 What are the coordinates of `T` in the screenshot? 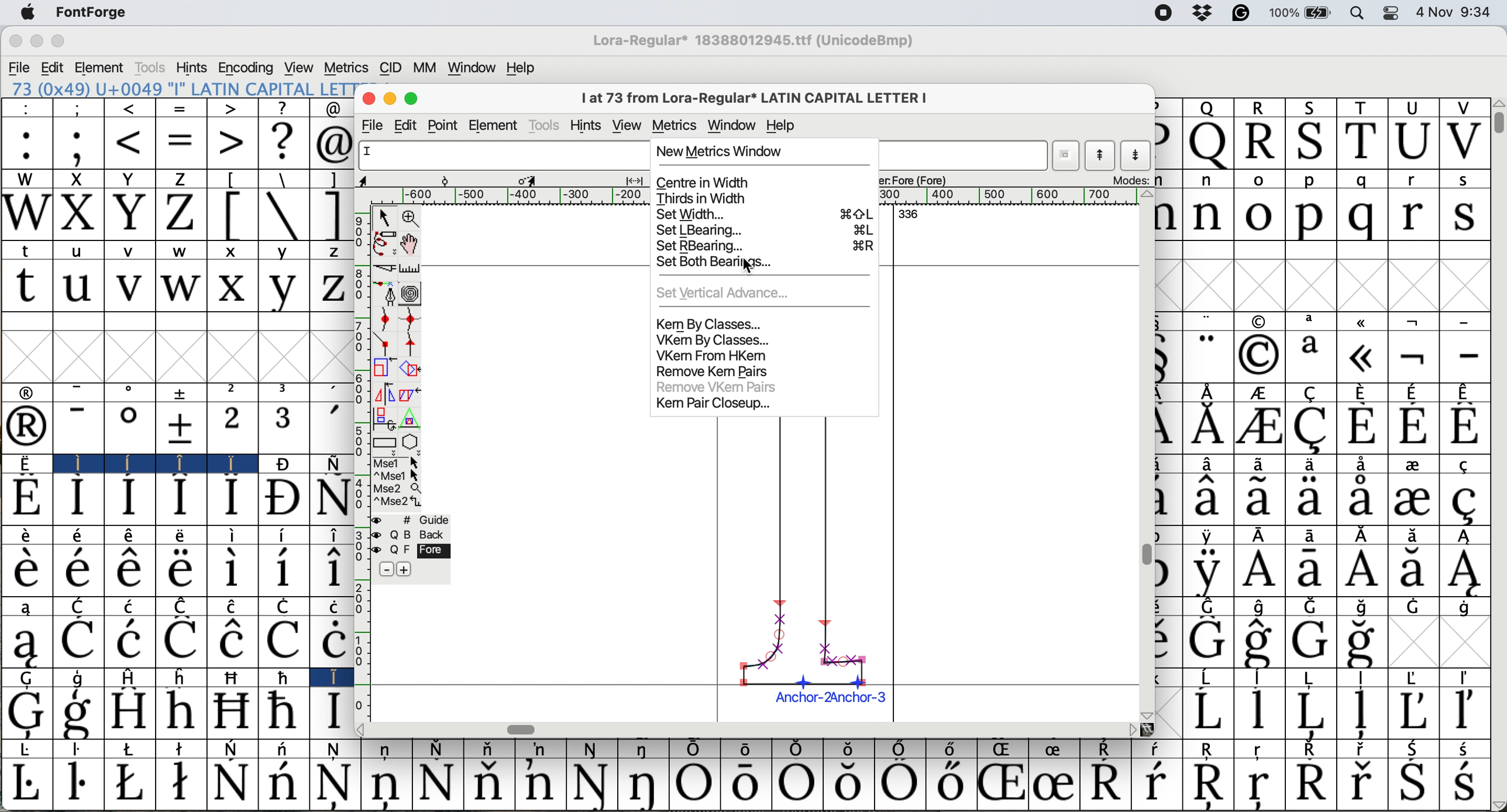 It's located at (1363, 142).